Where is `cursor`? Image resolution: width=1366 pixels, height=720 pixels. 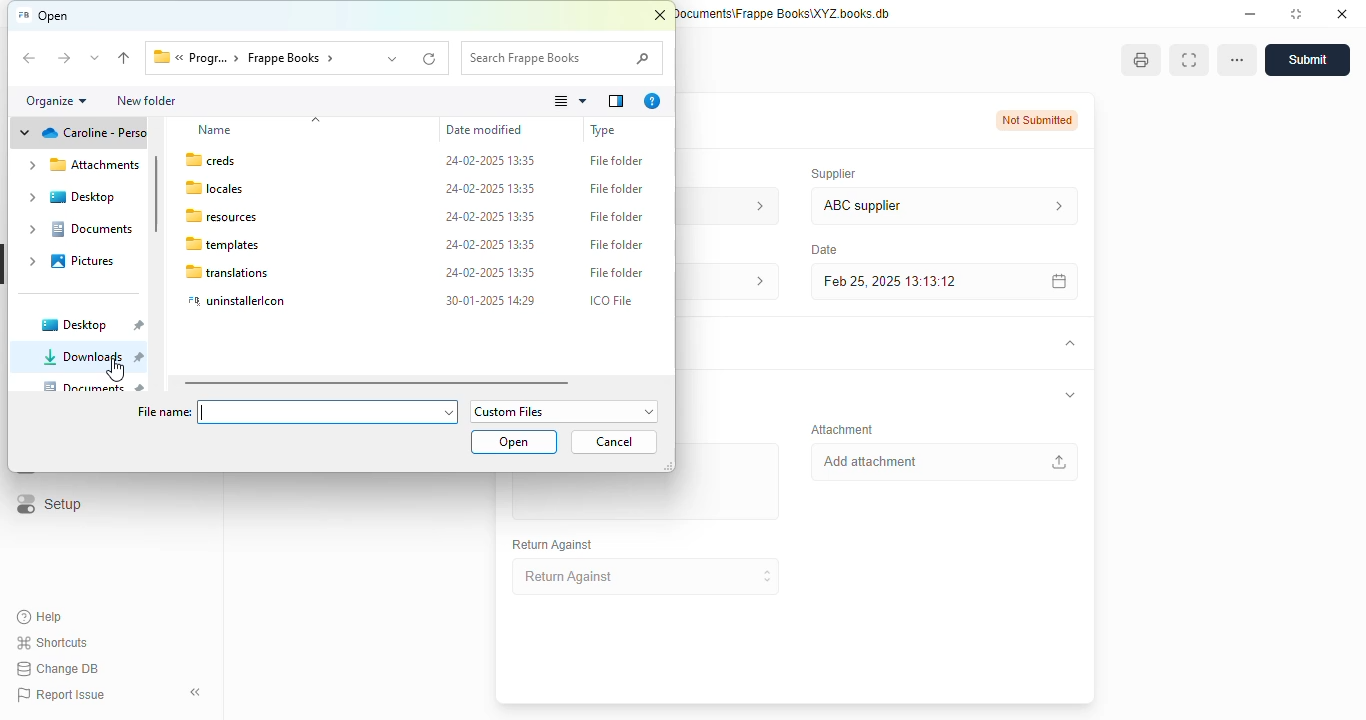 cursor is located at coordinates (116, 370).